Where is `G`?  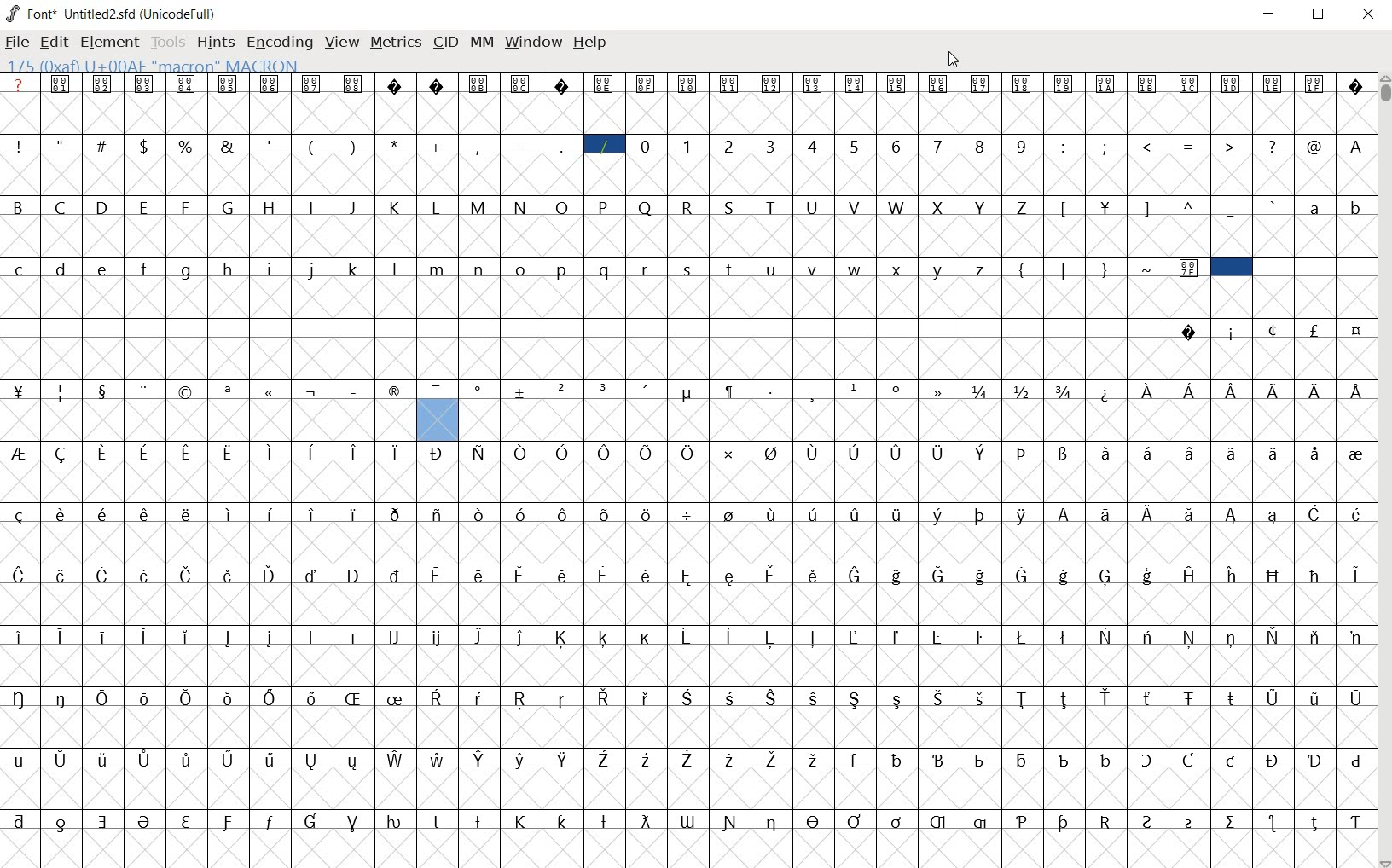 G is located at coordinates (230, 208).